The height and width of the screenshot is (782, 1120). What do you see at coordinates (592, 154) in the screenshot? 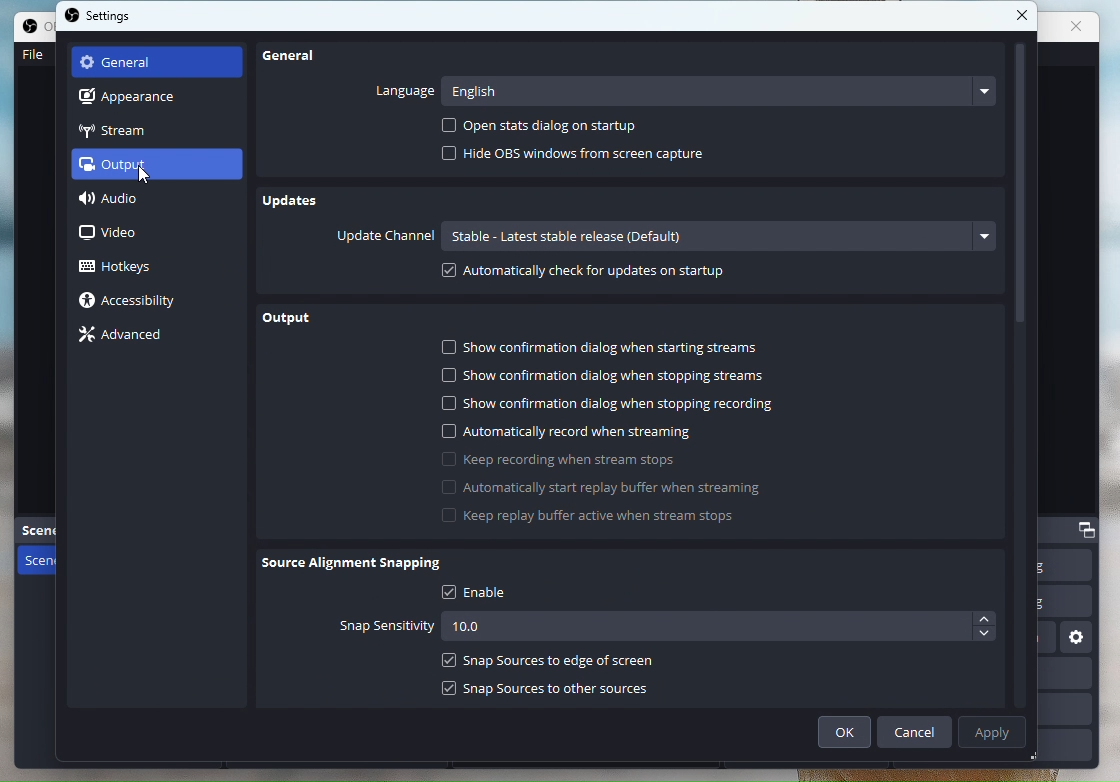
I see `Hide OBSs` at bounding box center [592, 154].